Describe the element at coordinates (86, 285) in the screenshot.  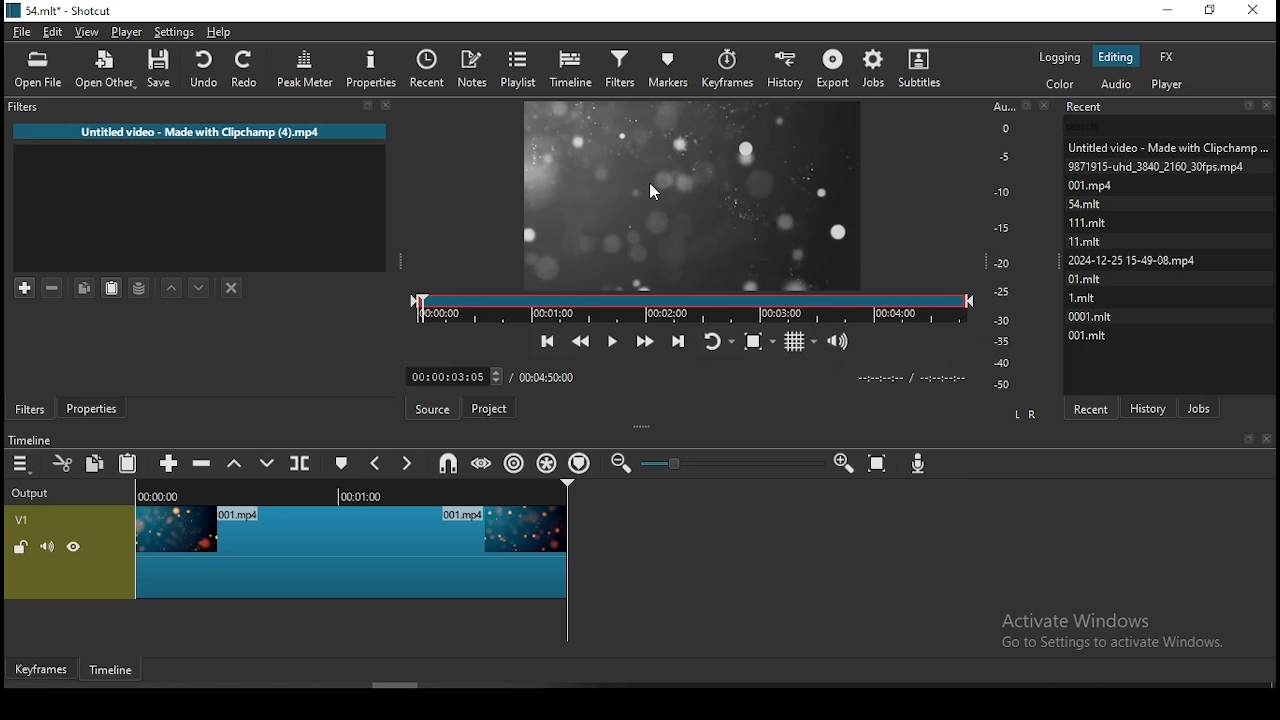
I see `copy` at that location.